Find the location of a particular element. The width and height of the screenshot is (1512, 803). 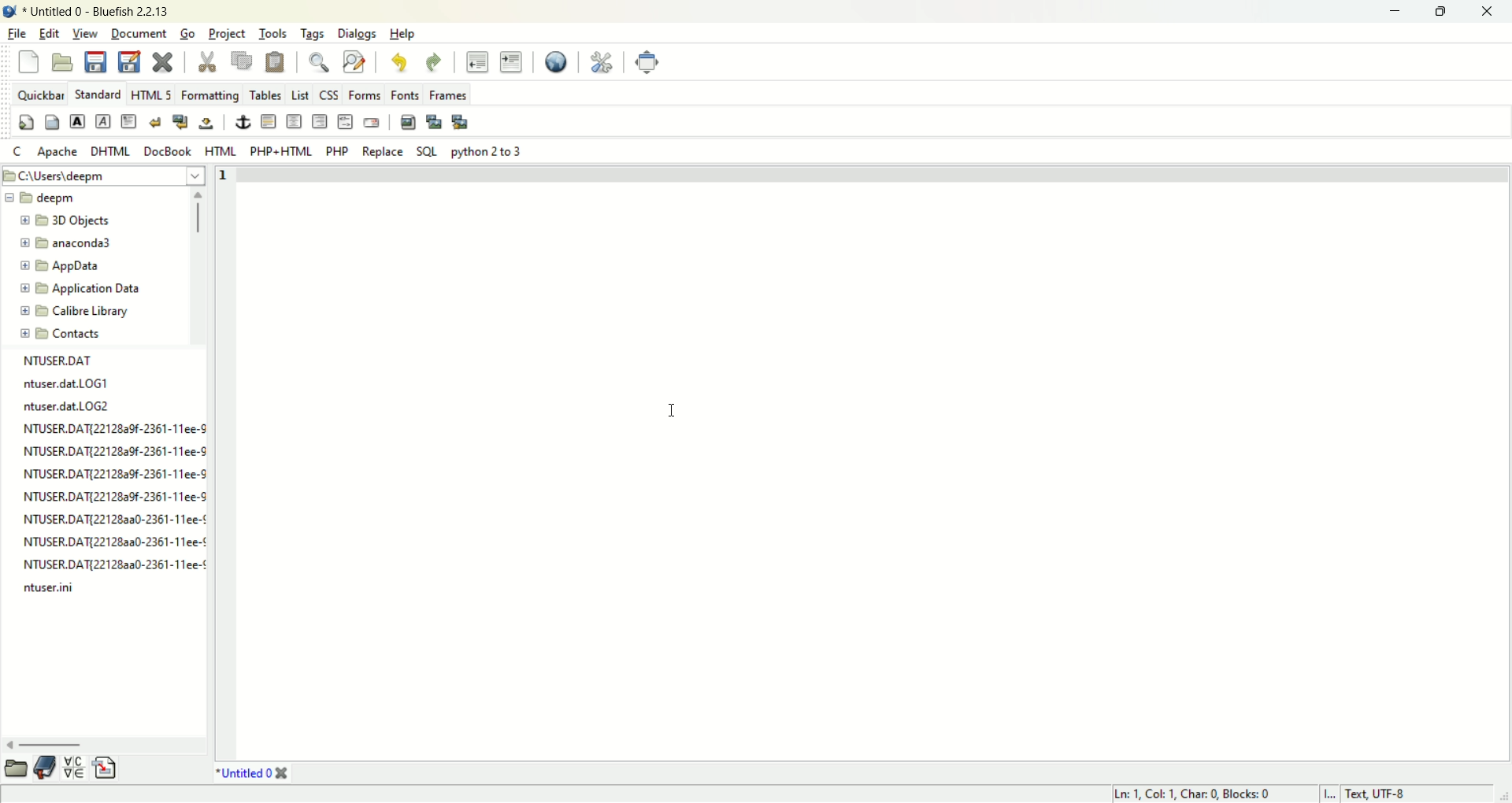

charmap is located at coordinates (74, 770).